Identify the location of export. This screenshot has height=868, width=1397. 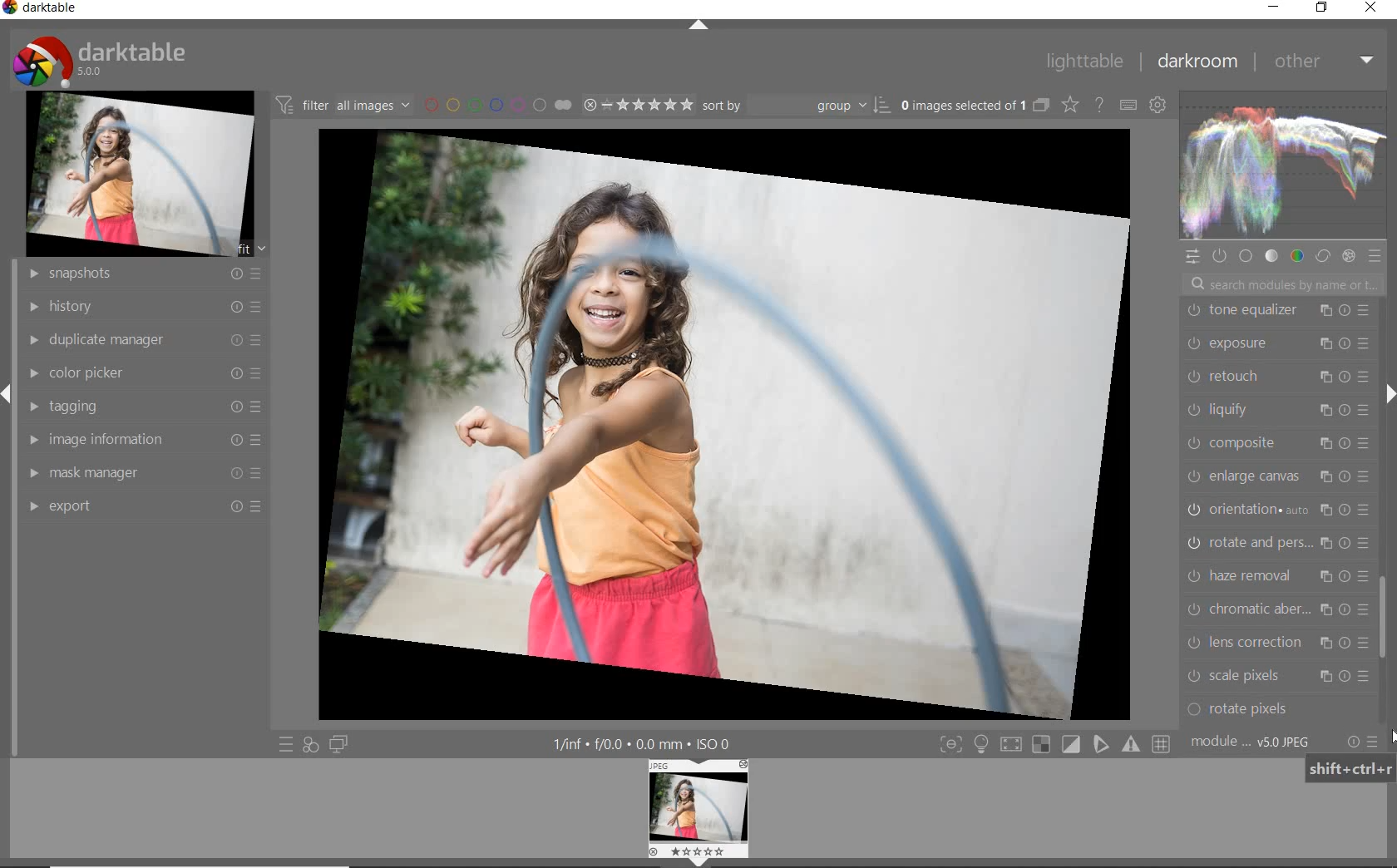
(146, 505).